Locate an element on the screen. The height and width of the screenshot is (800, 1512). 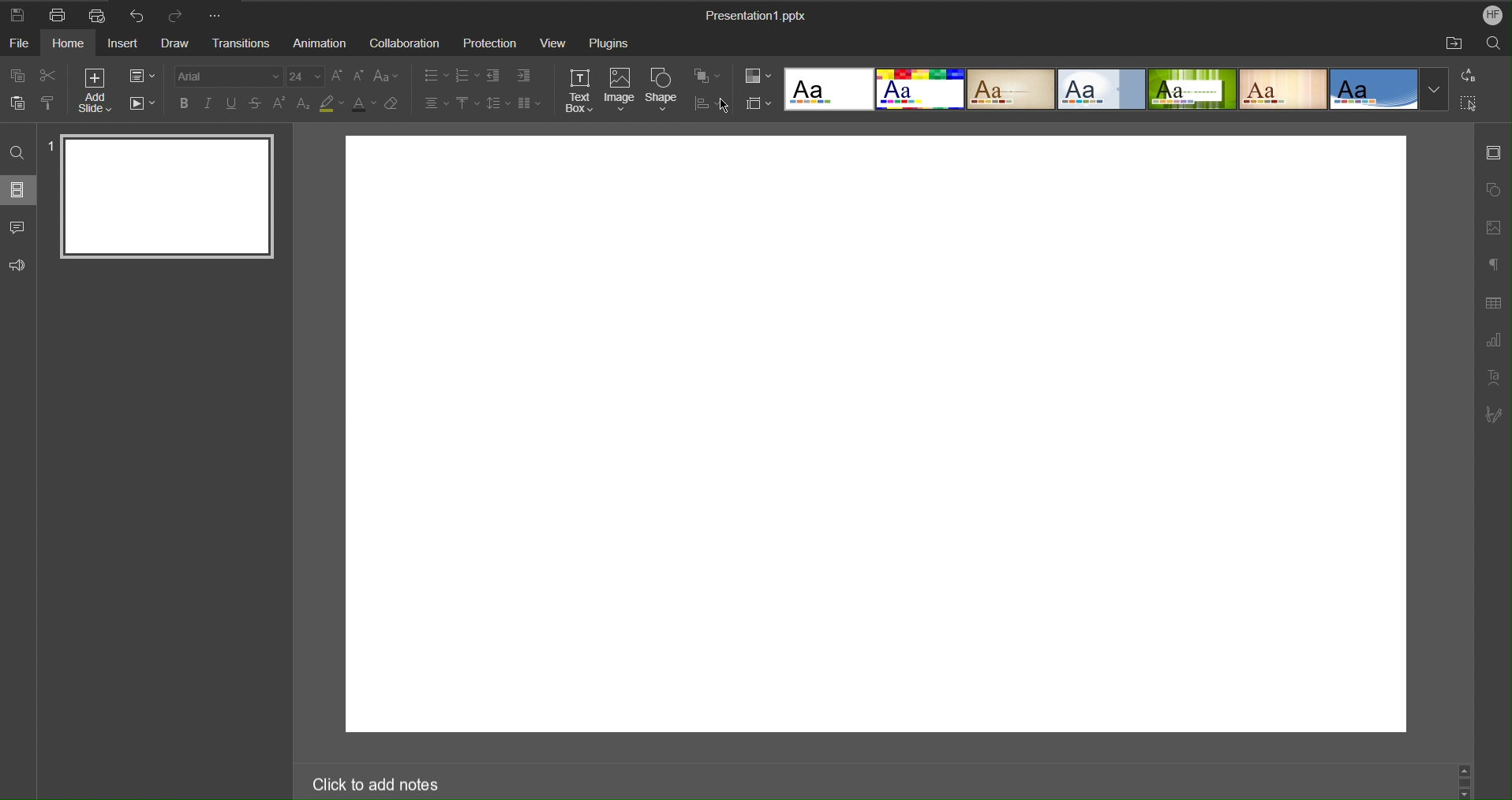
Presentation Title is located at coordinates (757, 14).